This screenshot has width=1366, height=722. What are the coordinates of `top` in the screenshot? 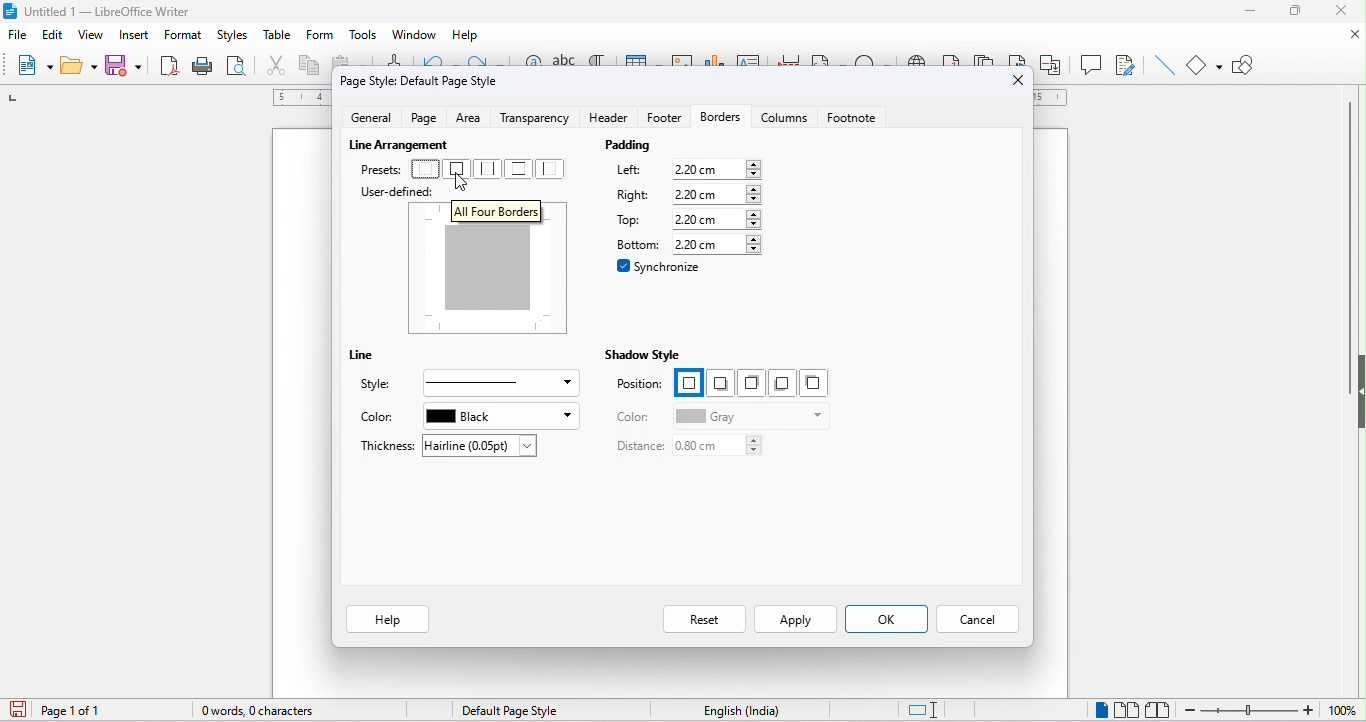 It's located at (632, 221).